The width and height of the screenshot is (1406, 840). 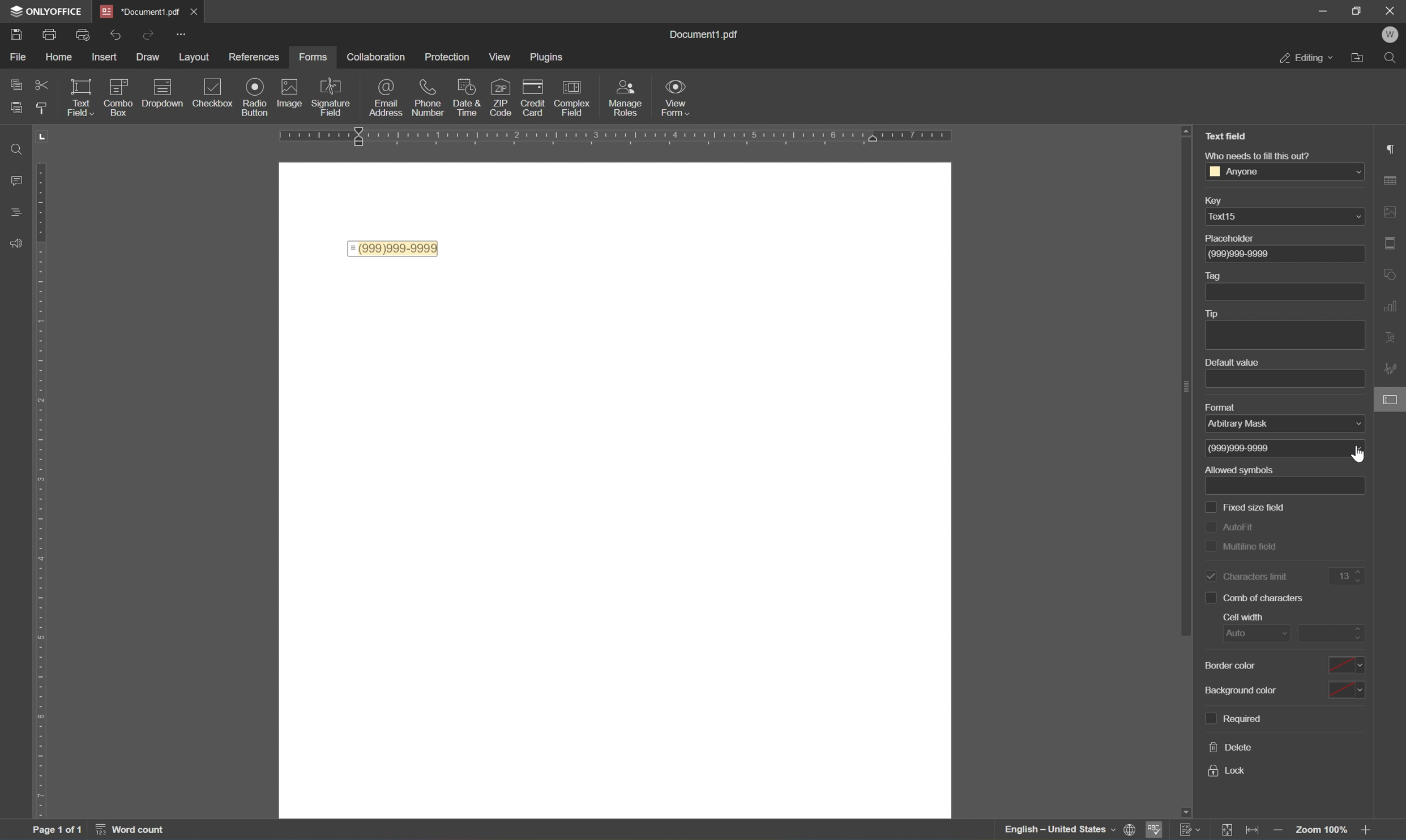 I want to click on print, so click(x=84, y=36).